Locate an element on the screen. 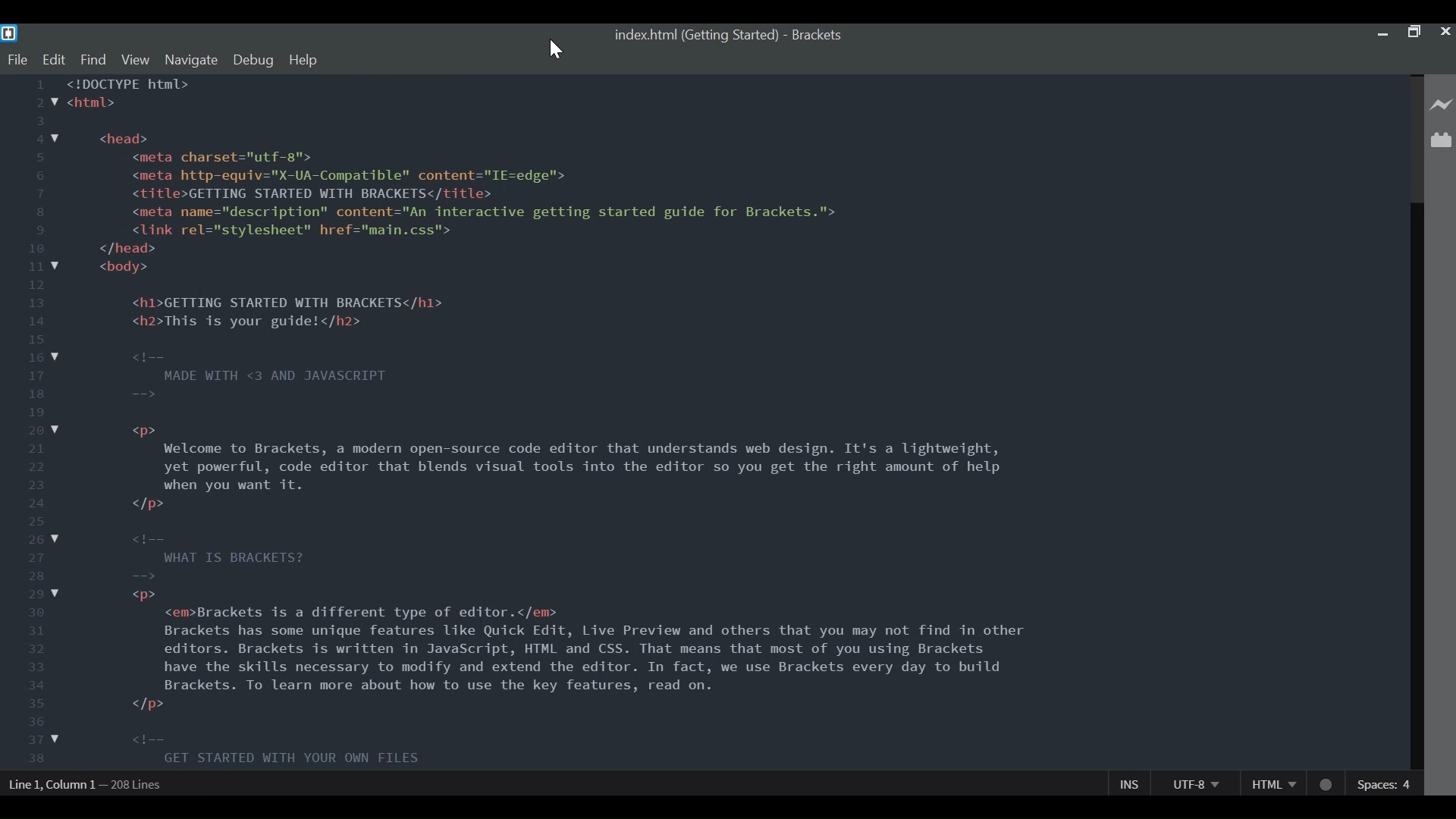 This screenshot has height=819, width=1456. Find is located at coordinates (92, 61).